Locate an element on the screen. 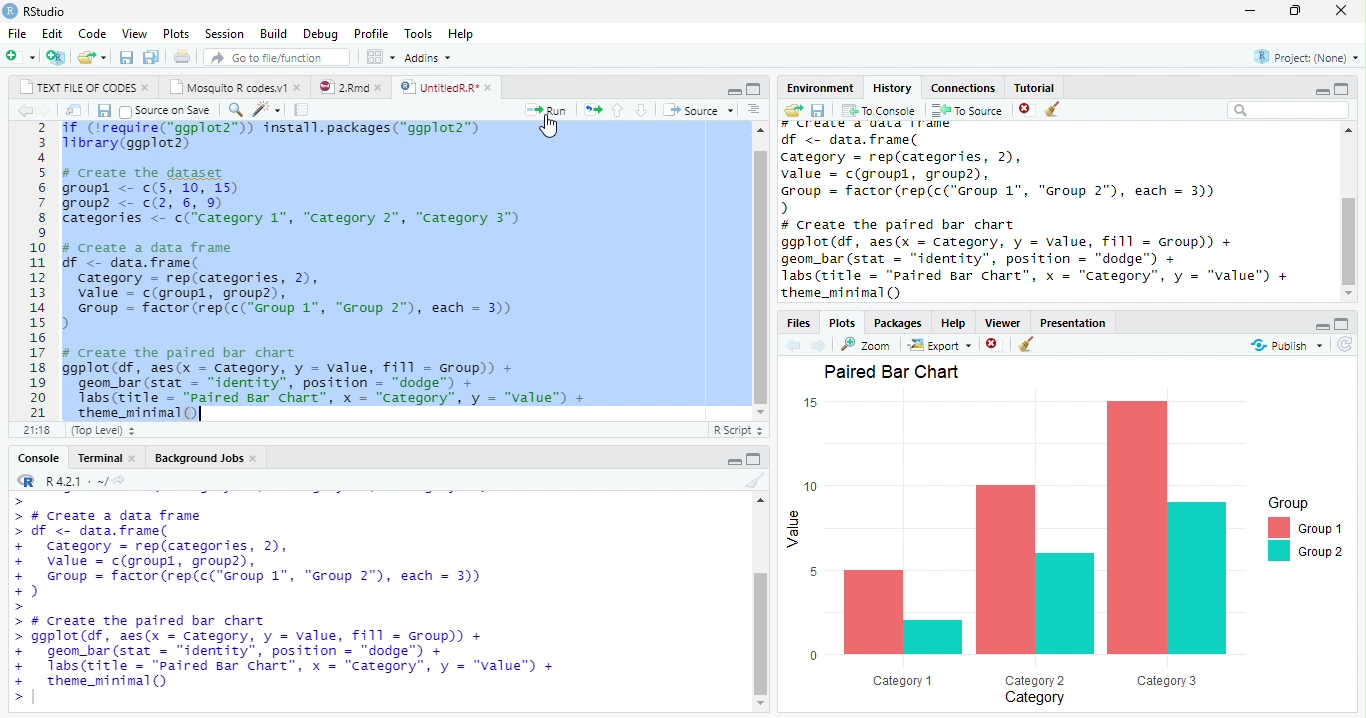  mosquito R codes.v1 is located at coordinates (230, 87).